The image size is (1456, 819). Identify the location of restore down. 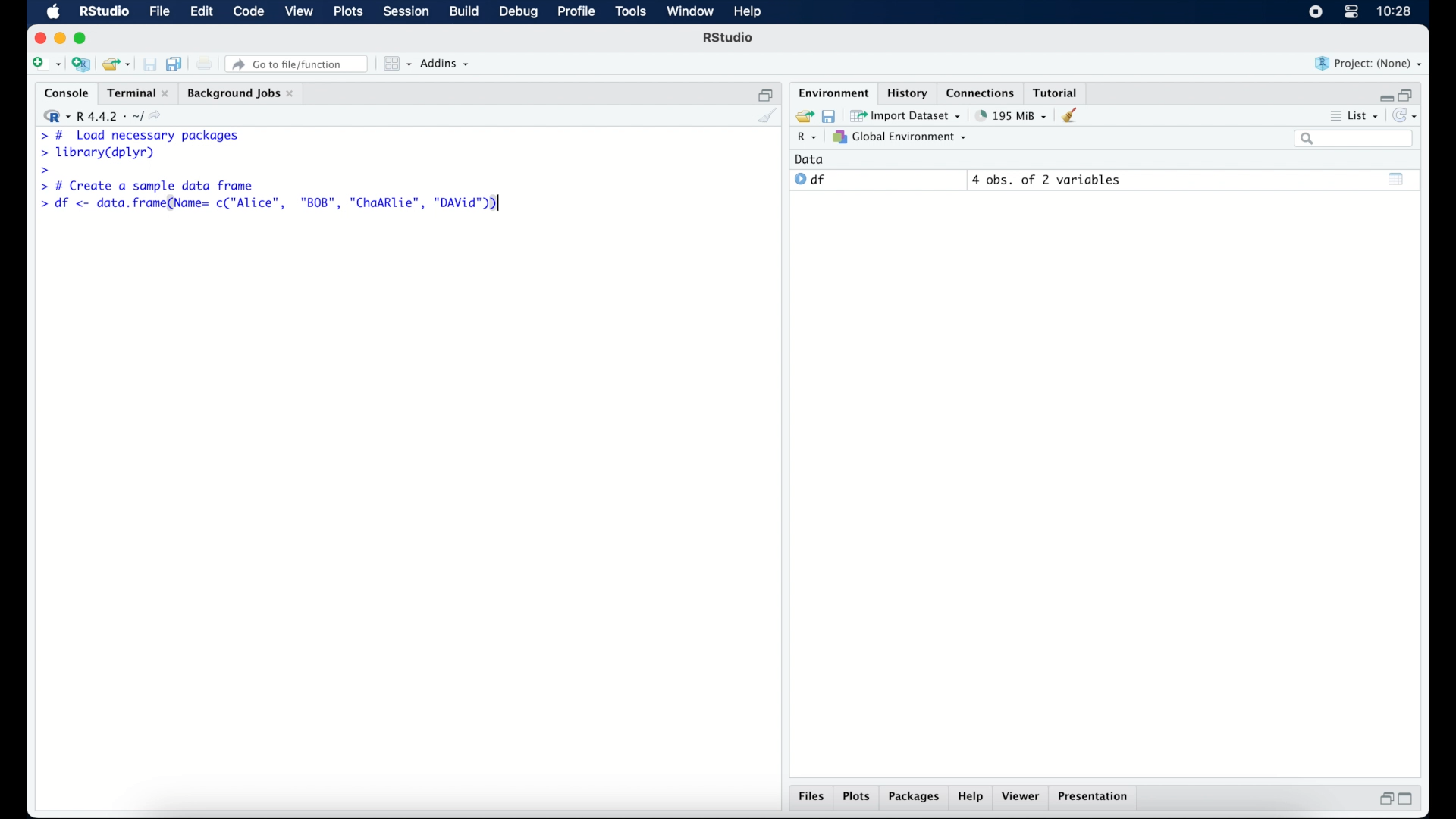
(1409, 93).